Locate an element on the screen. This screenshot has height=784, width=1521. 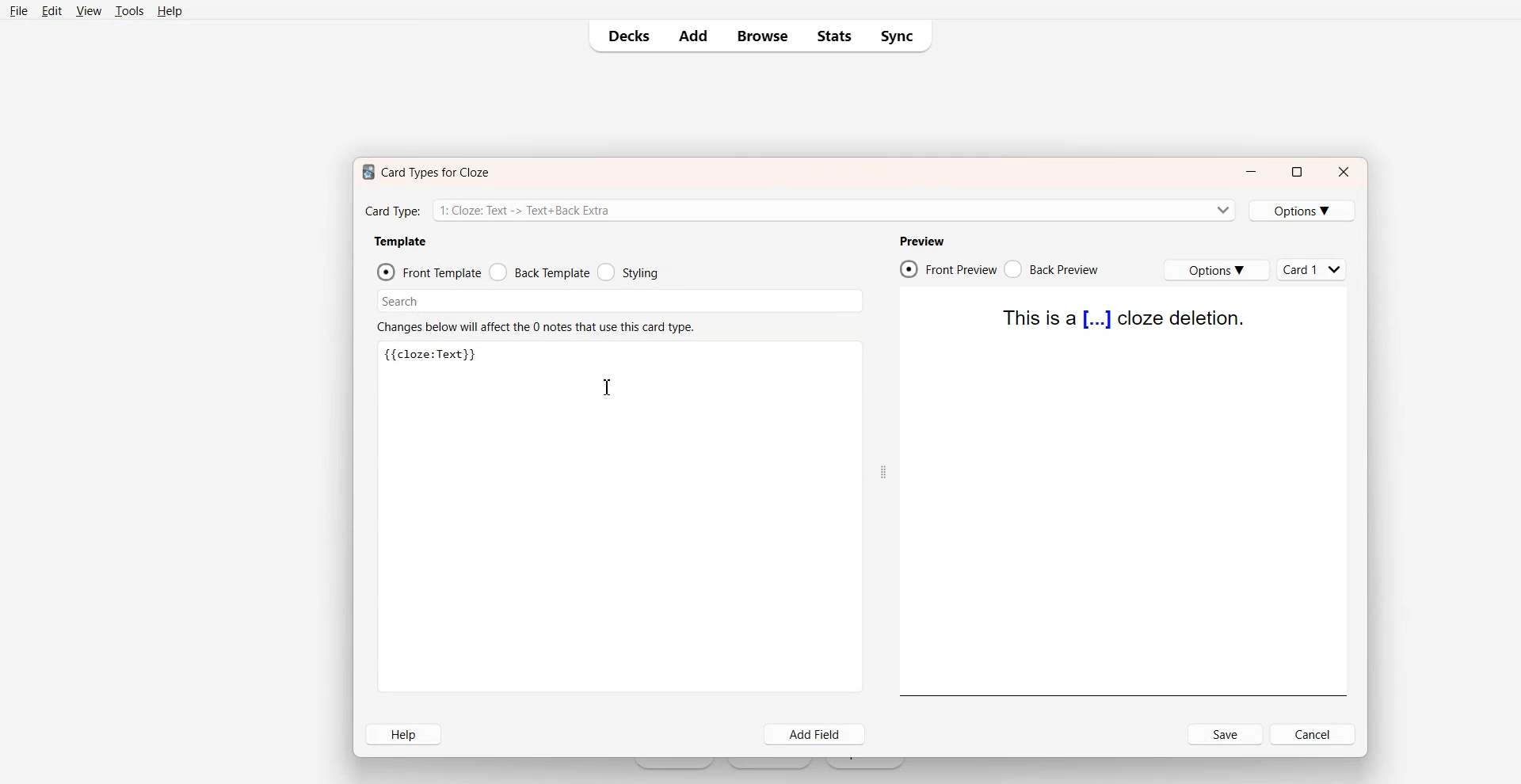
Options is located at coordinates (1303, 211).